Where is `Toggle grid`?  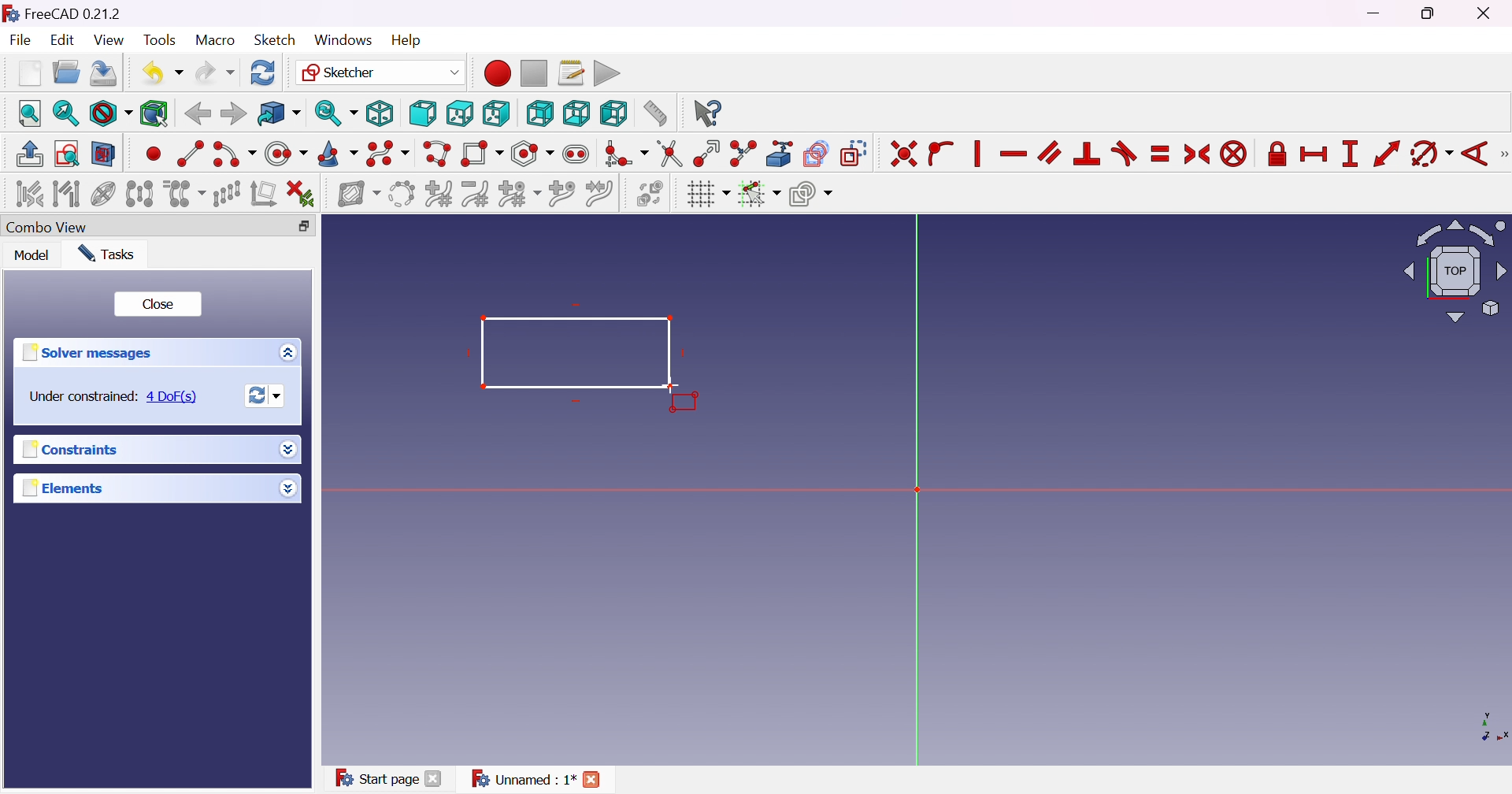
Toggle grid is located at coordinates (707, 195).